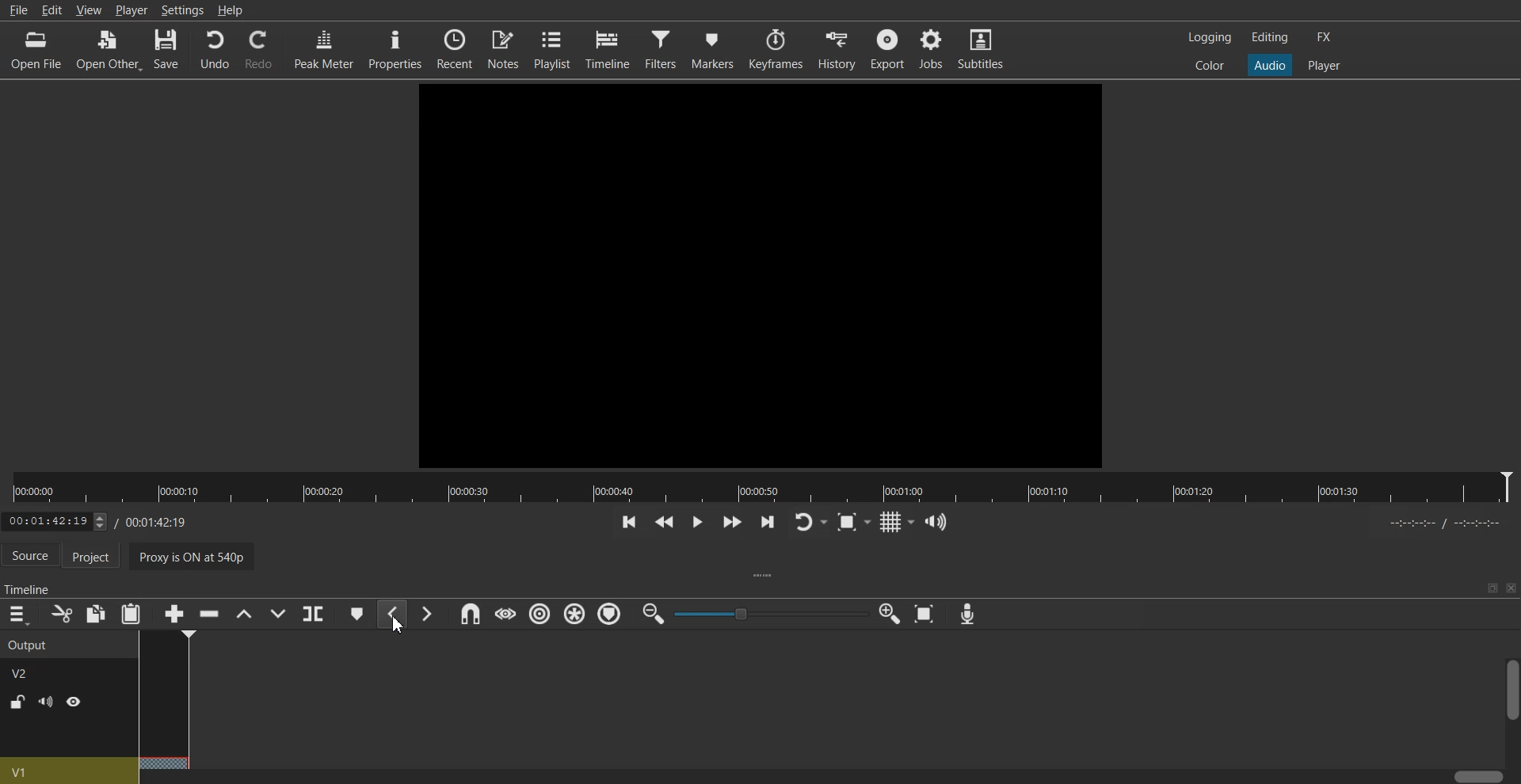 The image size is (1521, 784). I want to click on Subtitles, so click(984, 49).